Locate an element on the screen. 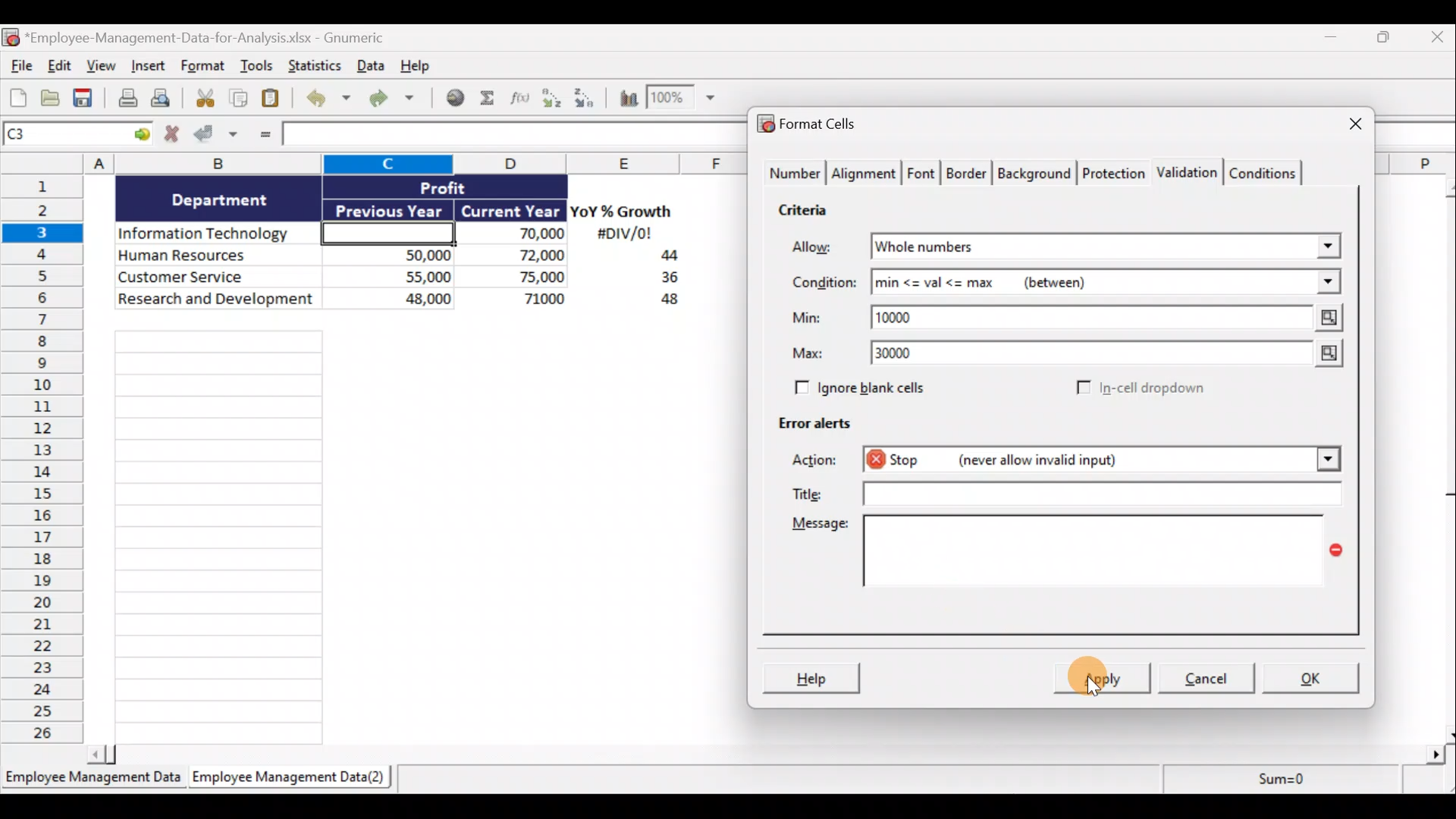 The height and width of the screenshot is (819, 1456). Go to is located at coordinates (142, 135).